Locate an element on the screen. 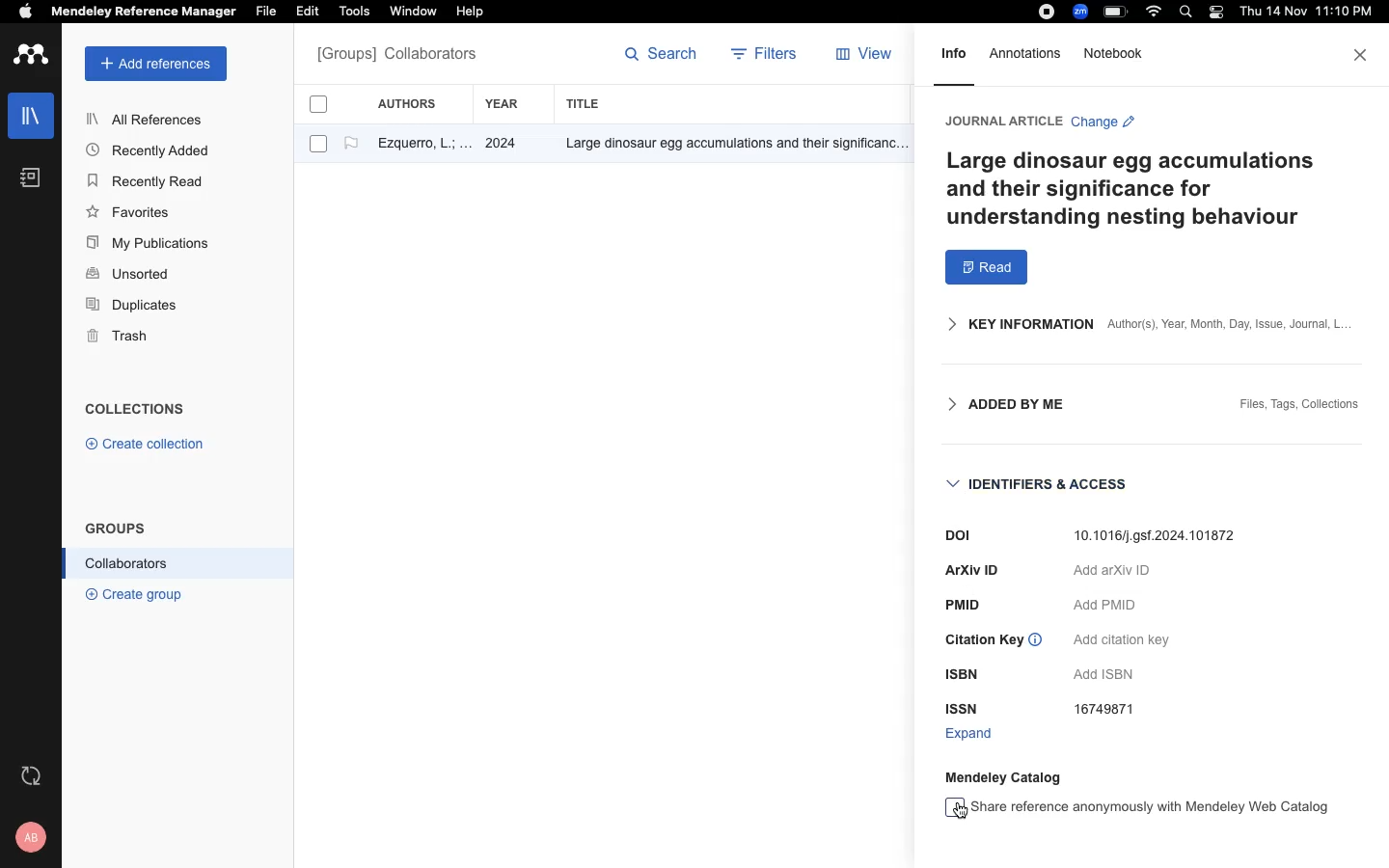  checkboxes is located at coordinates (311, 127).